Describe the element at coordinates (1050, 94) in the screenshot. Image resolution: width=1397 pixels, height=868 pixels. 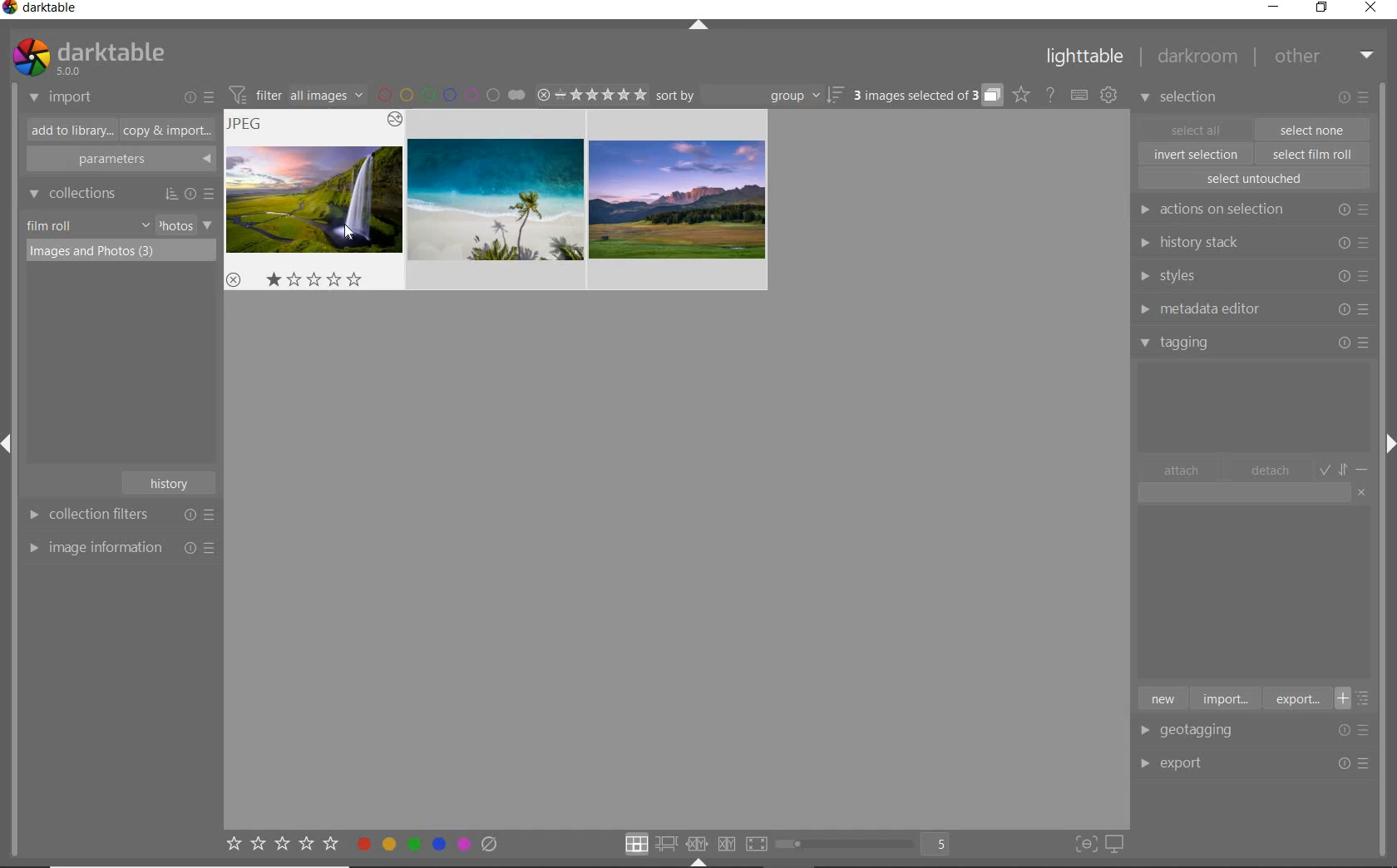
I see `help online` at that location.